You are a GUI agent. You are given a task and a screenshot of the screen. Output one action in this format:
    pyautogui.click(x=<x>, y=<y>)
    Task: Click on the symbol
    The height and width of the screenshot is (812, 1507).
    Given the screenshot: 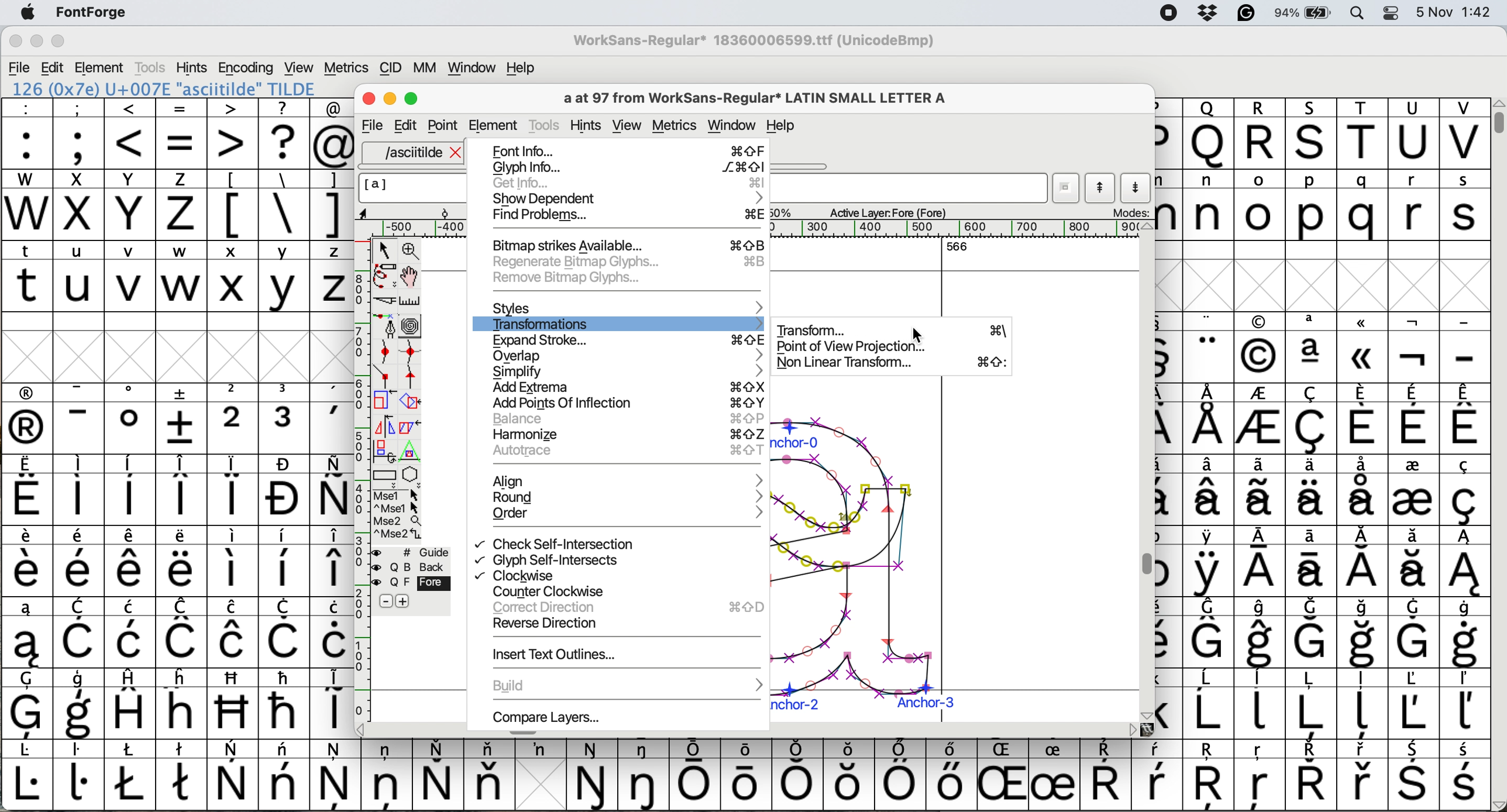 What is the action you would take?
    pyautogui.click(x=593, y=776)
    